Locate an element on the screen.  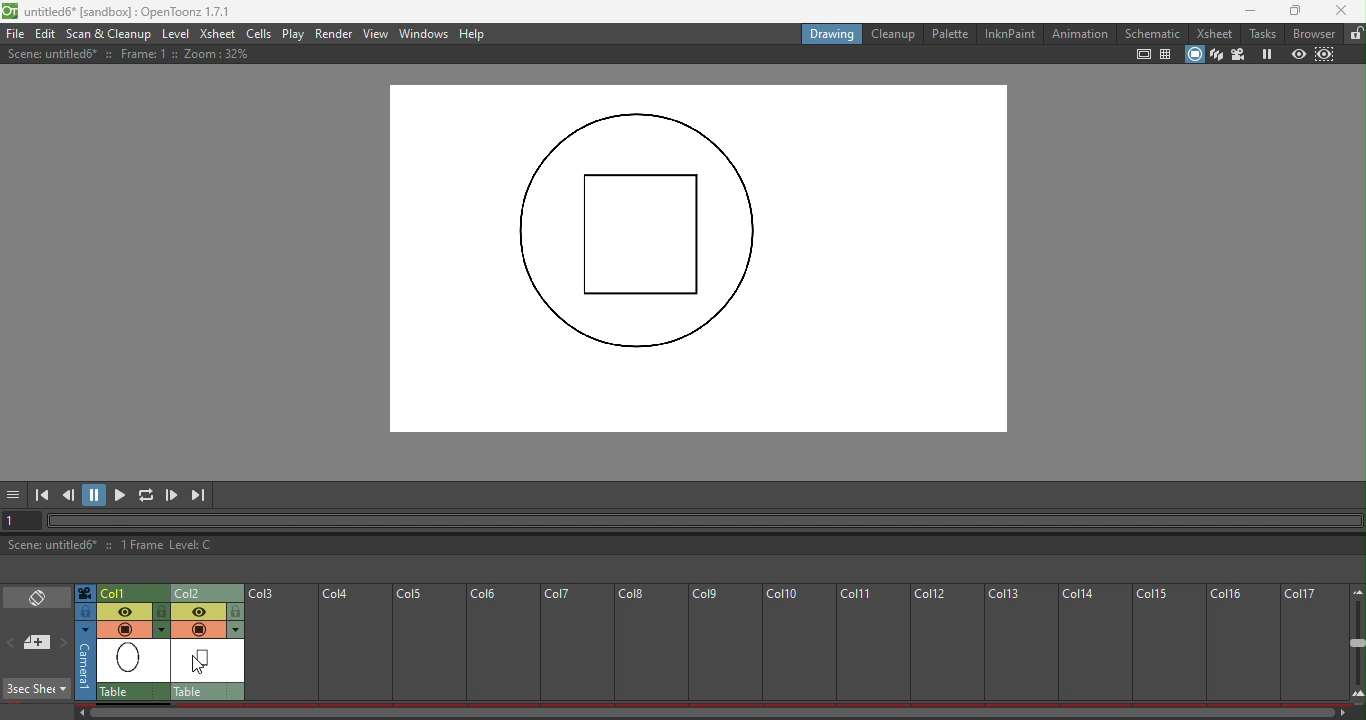
Drawing is located at coordinates (833, 35).